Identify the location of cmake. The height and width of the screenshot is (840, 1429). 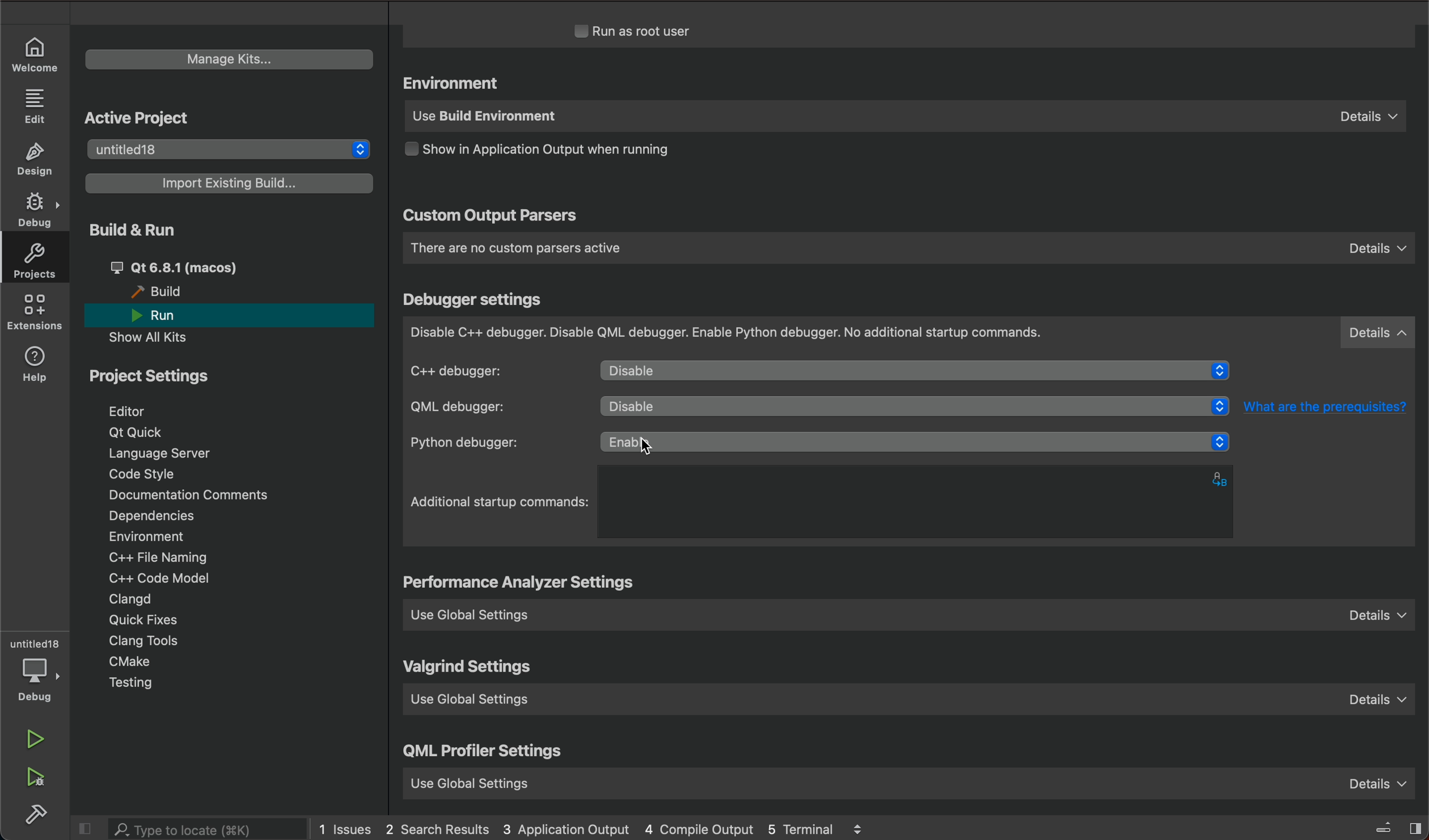
(130, 661).